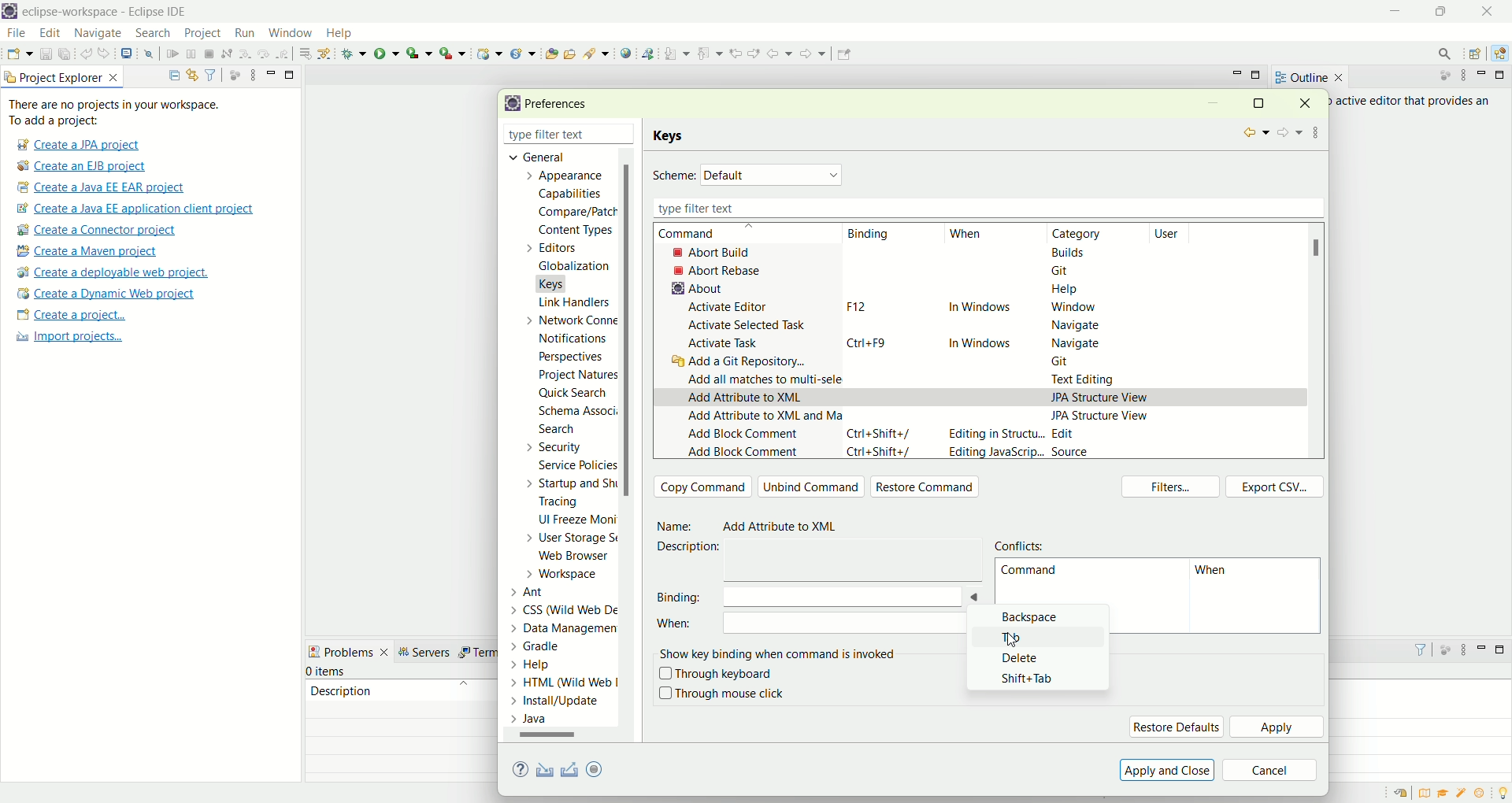 This screenshot has width=1512, height=803. I want to click on Install/update, so click(558, 703).